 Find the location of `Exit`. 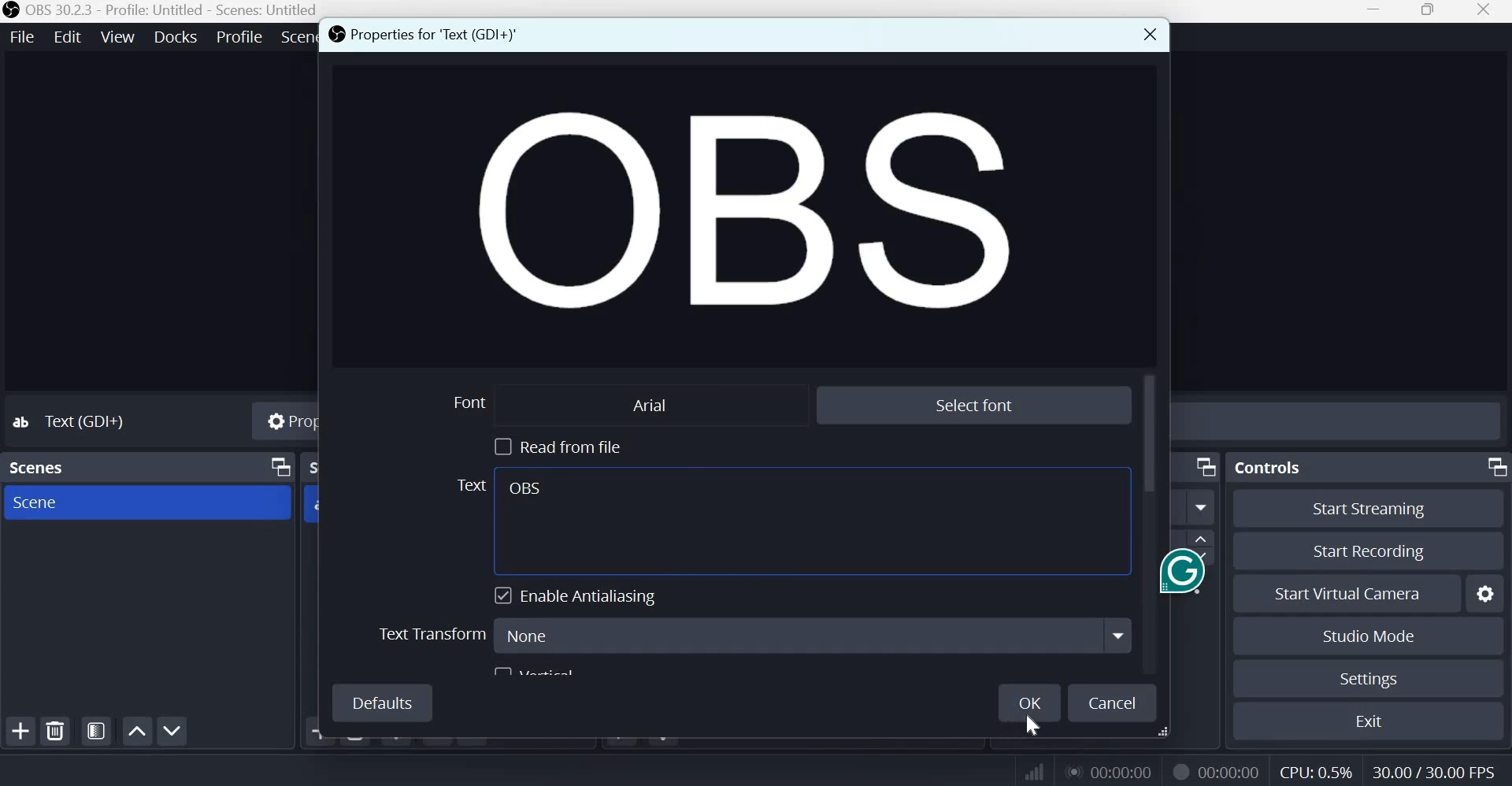

Exit is located at coordinates (1373, 721).